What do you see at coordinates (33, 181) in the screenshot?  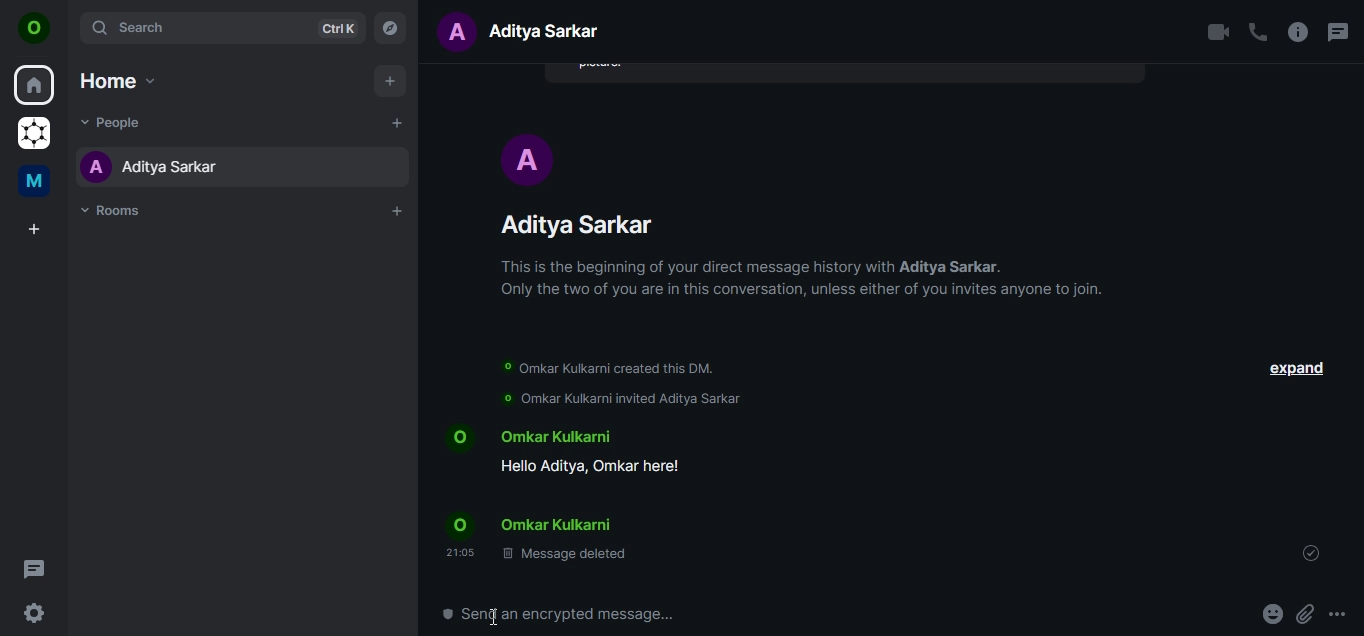 I see `me` at bounding box center [33, 181].